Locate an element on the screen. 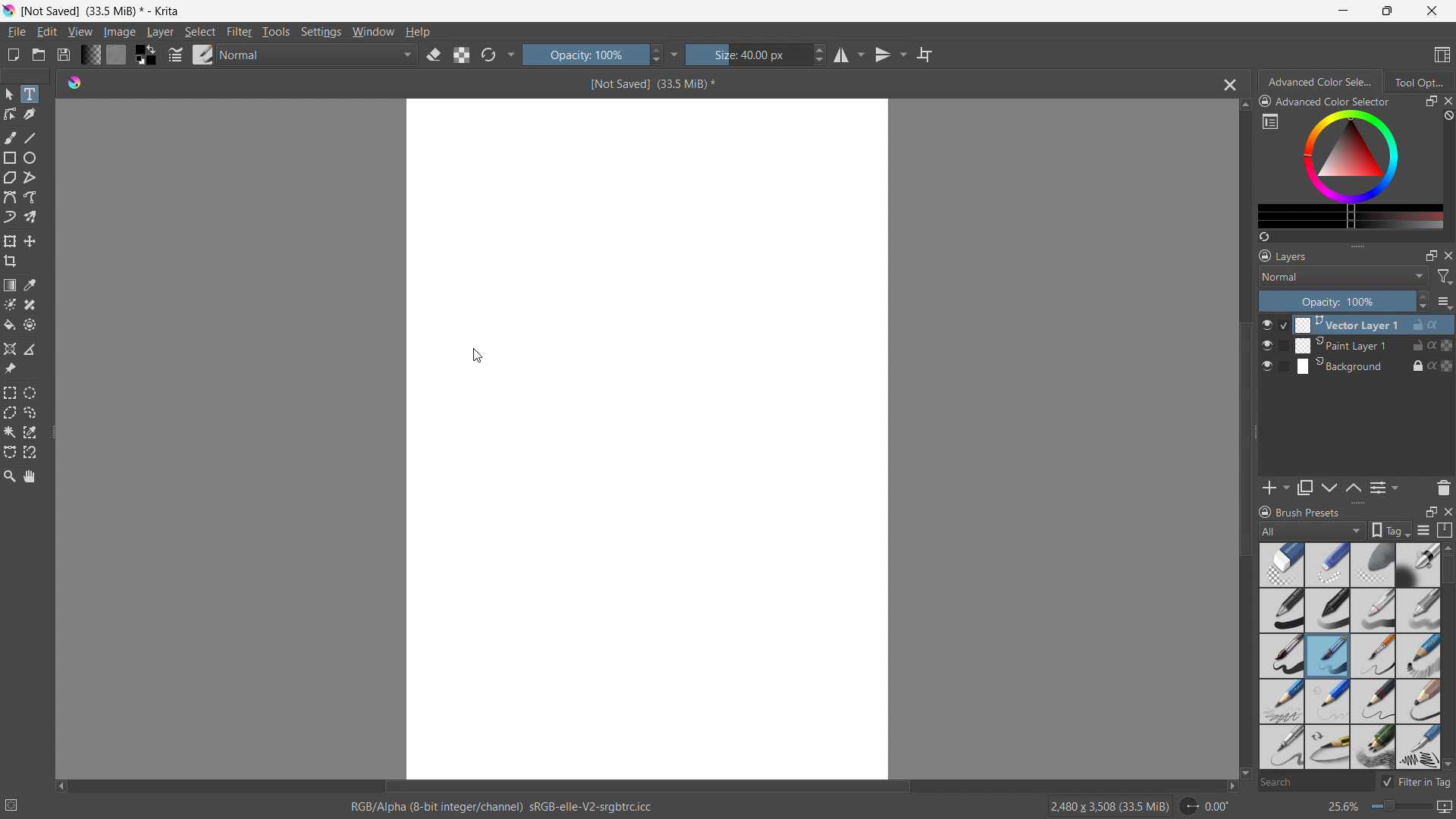 The image size is (1456, 819). caligraphy tool is located at coordinates (30, 115).